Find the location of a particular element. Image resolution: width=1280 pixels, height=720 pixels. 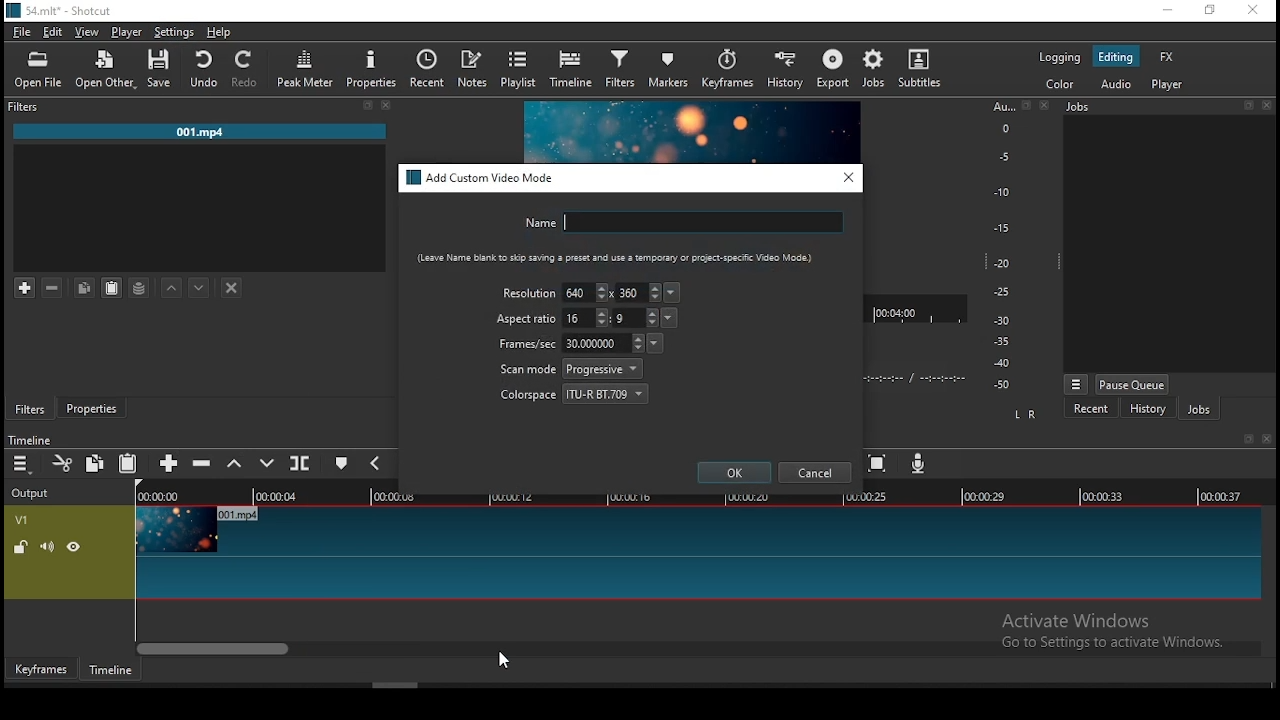

001.mp4 is located at coordinates (200, 133).